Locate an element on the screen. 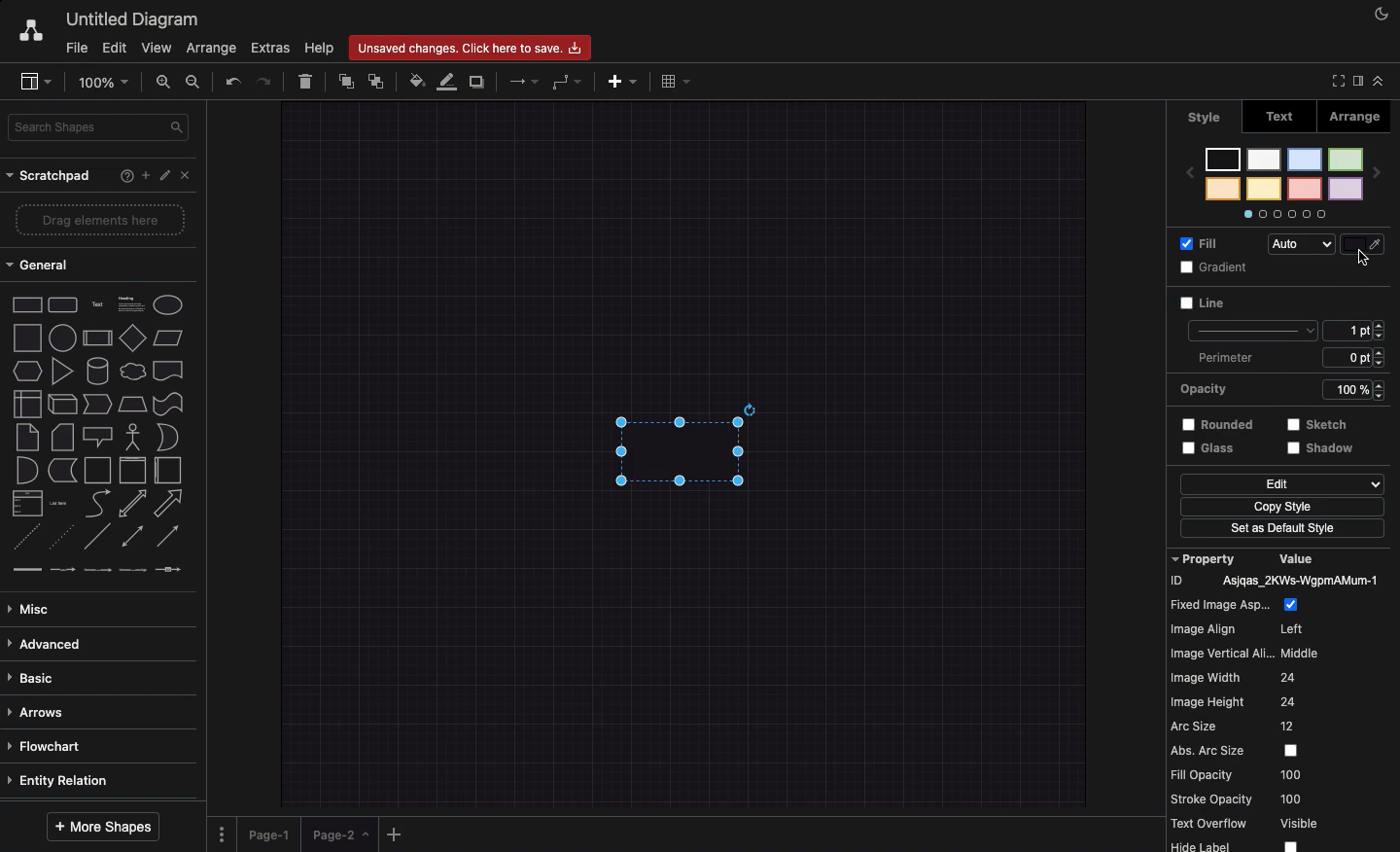  Arrows is located at coordinates (41, 710).